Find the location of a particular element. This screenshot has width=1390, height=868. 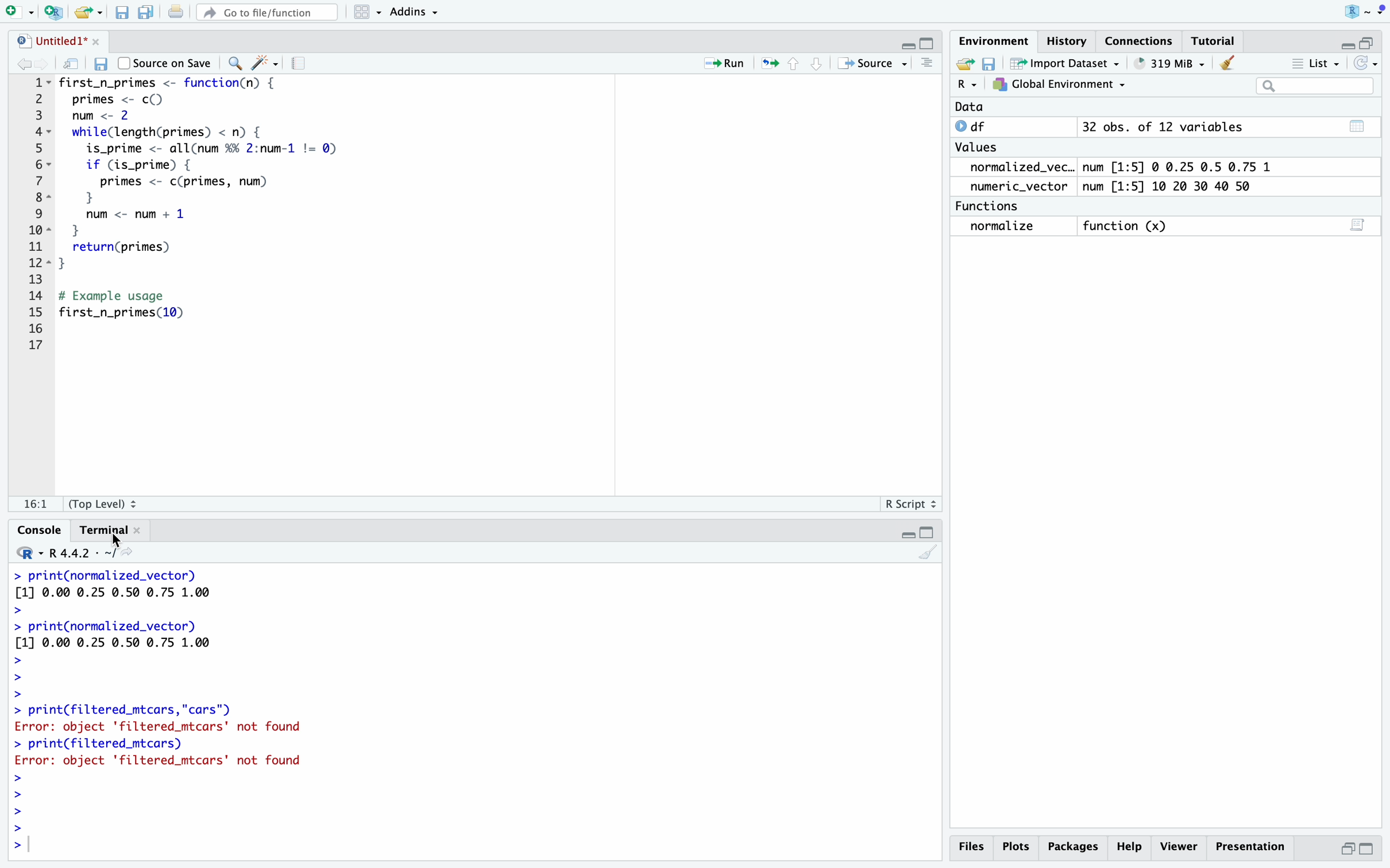

user is located at coordinates (1352, 10).